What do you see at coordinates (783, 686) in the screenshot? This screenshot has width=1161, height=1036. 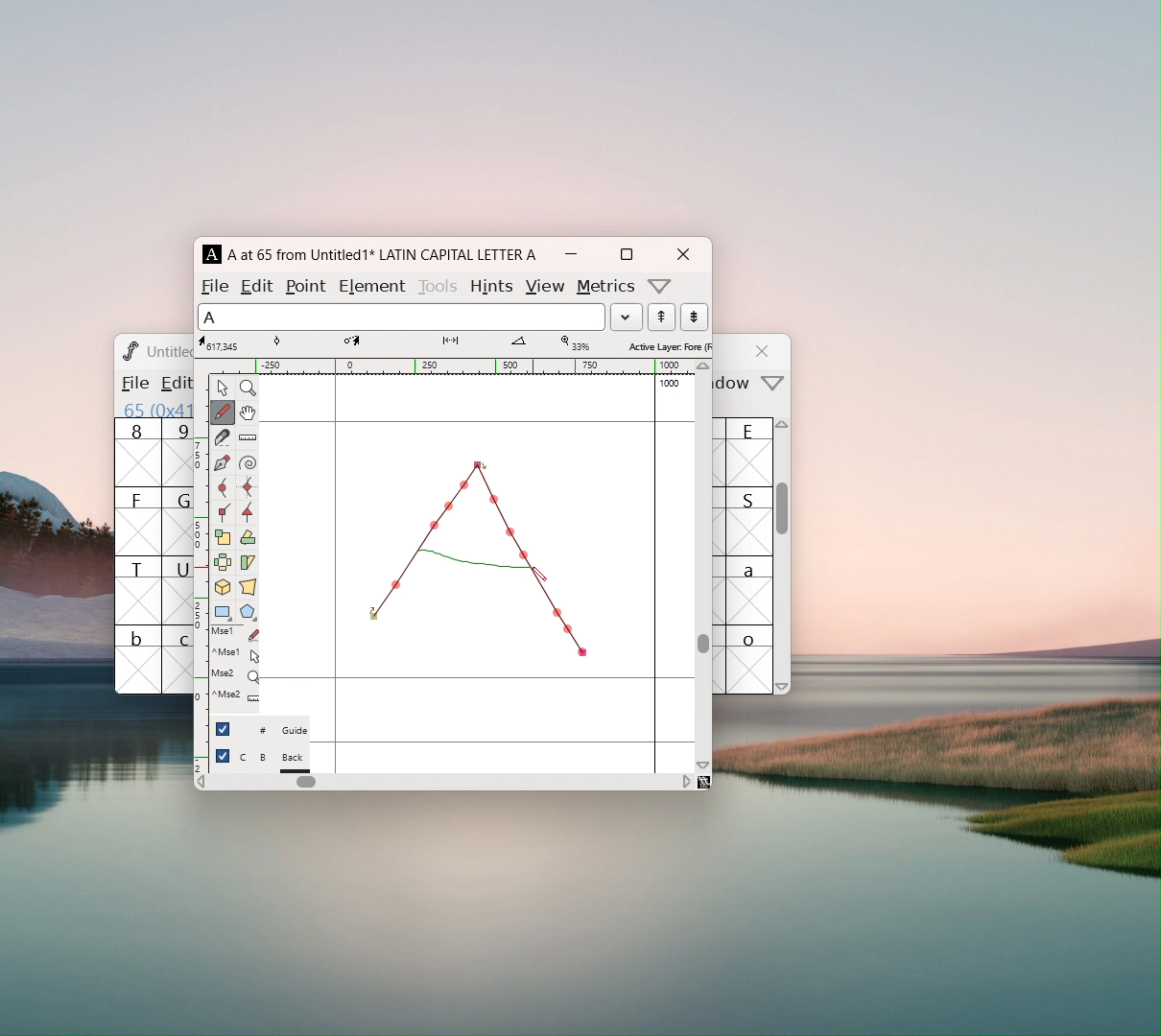 I see `scroll down` at bounding box center [783, 686].